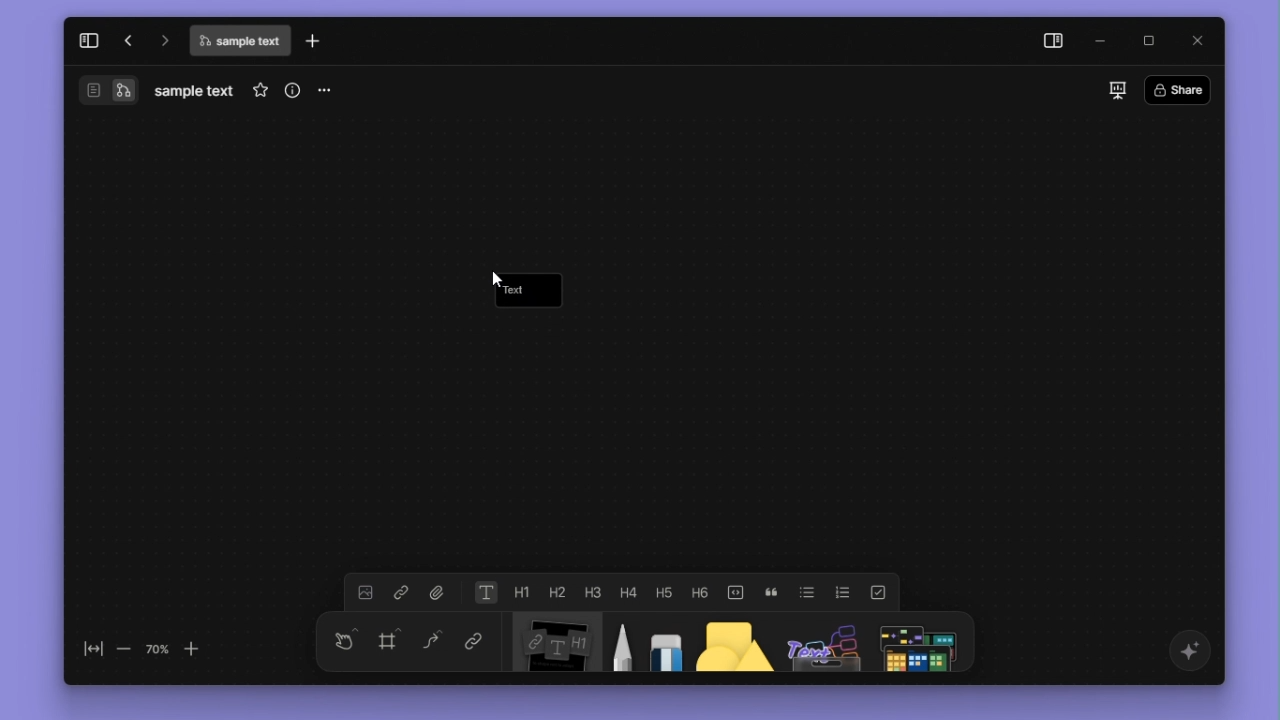 The image size is (1280, 720). What do you see at coordinates (1194, 40) in the screenshot?
I see `close` at bounding box center [1194, 40].